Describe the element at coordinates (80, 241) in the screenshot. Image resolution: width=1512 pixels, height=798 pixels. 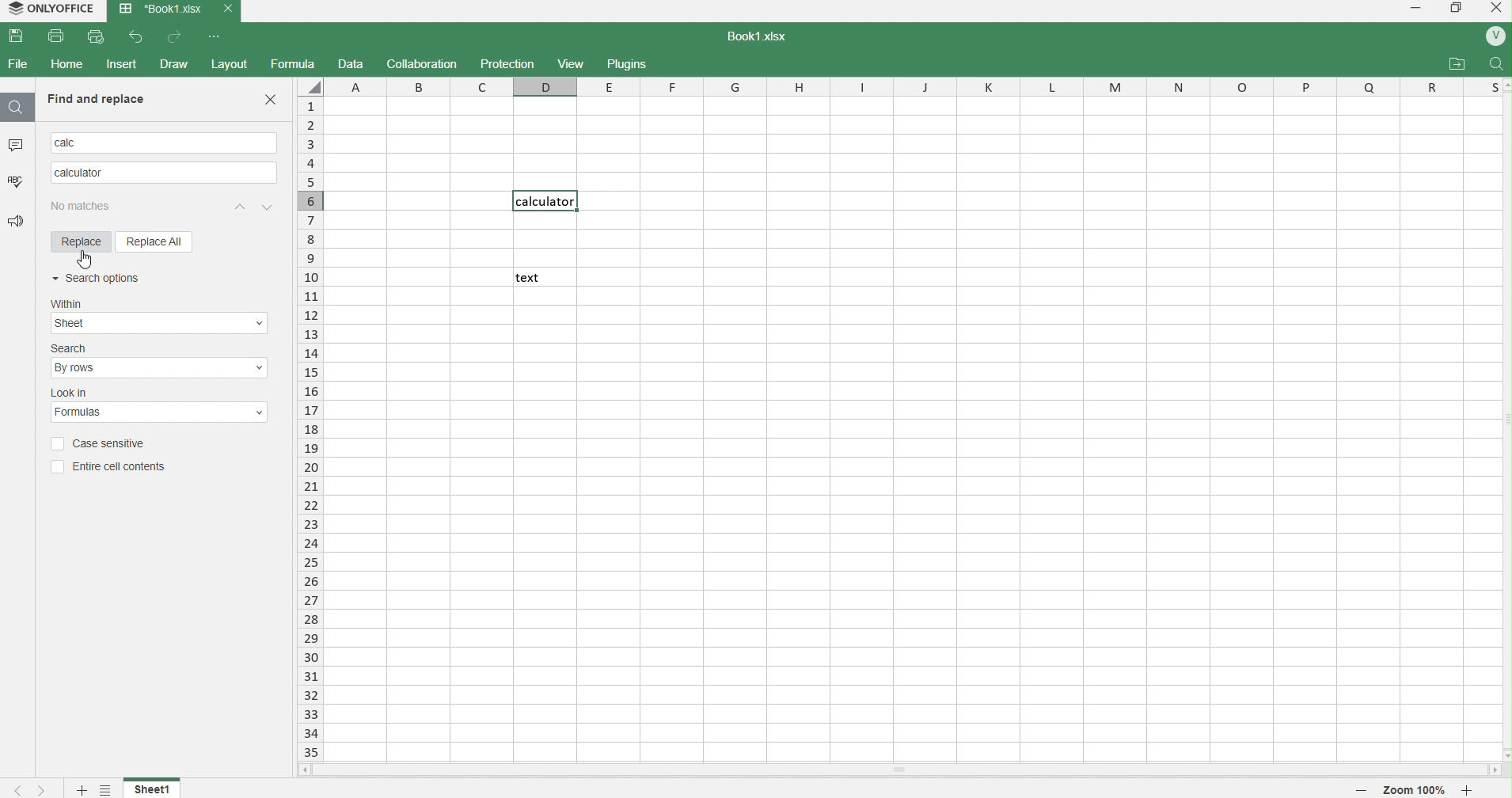
I see `Replace` at that location.